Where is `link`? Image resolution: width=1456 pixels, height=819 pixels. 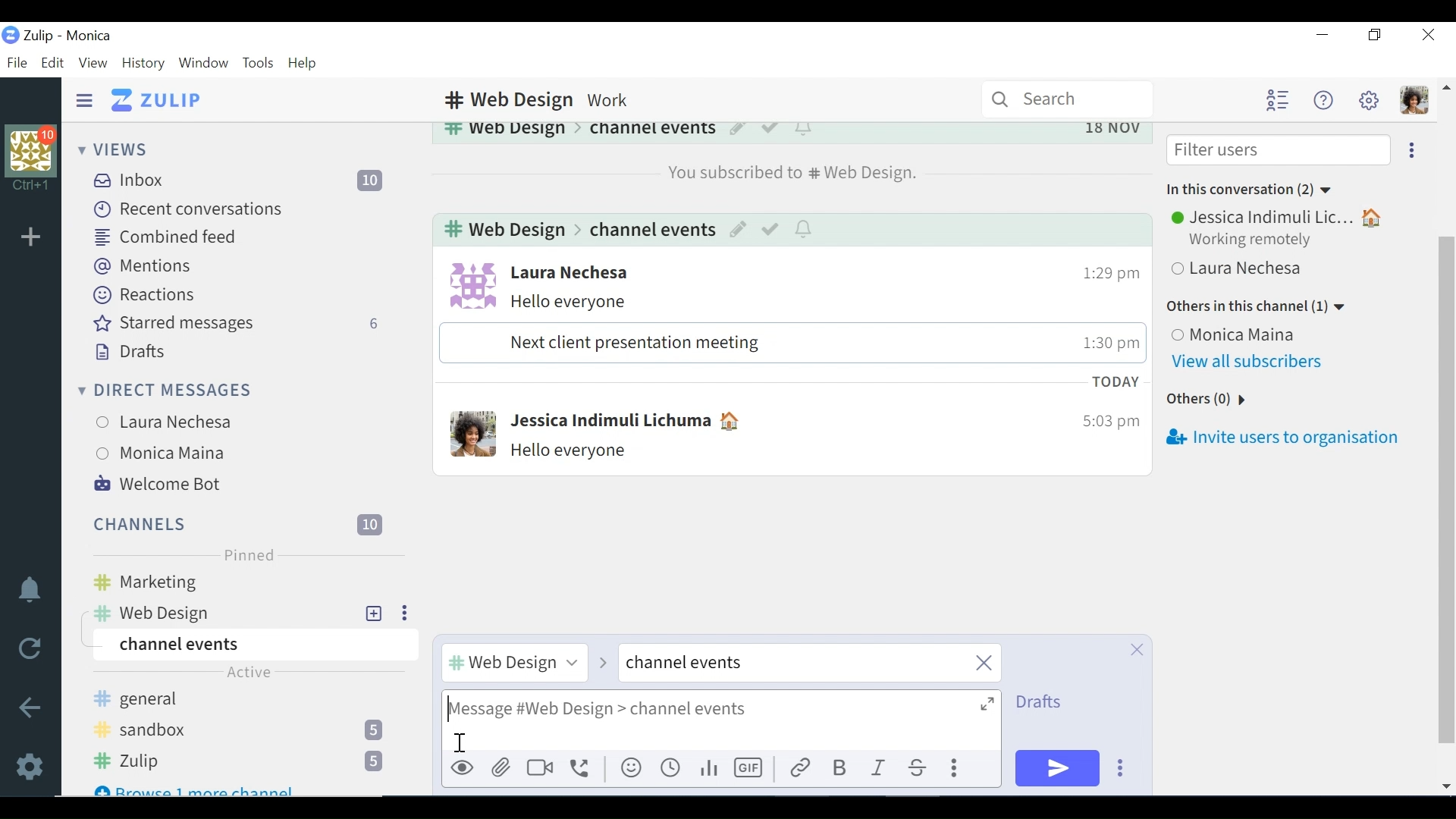 link is located at coordinates (799, 769).